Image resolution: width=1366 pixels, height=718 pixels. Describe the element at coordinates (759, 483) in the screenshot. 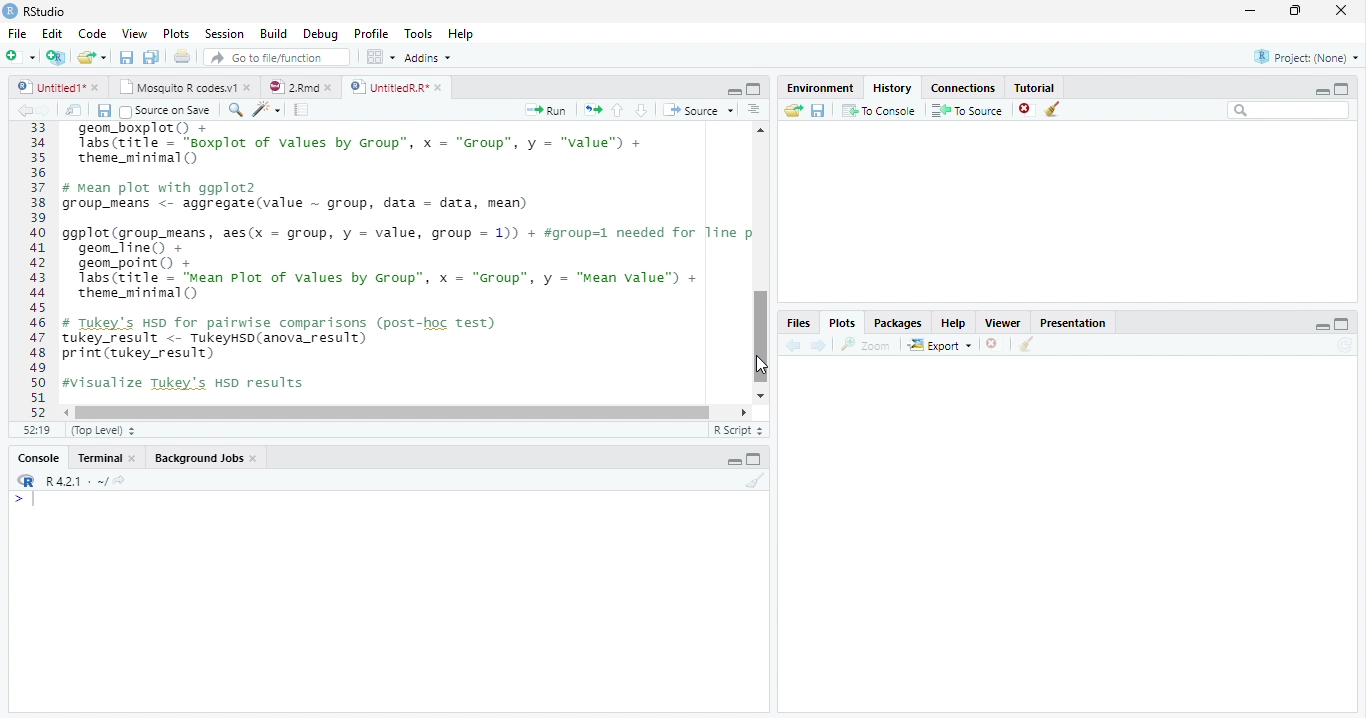

I see `Clear console` at that location.